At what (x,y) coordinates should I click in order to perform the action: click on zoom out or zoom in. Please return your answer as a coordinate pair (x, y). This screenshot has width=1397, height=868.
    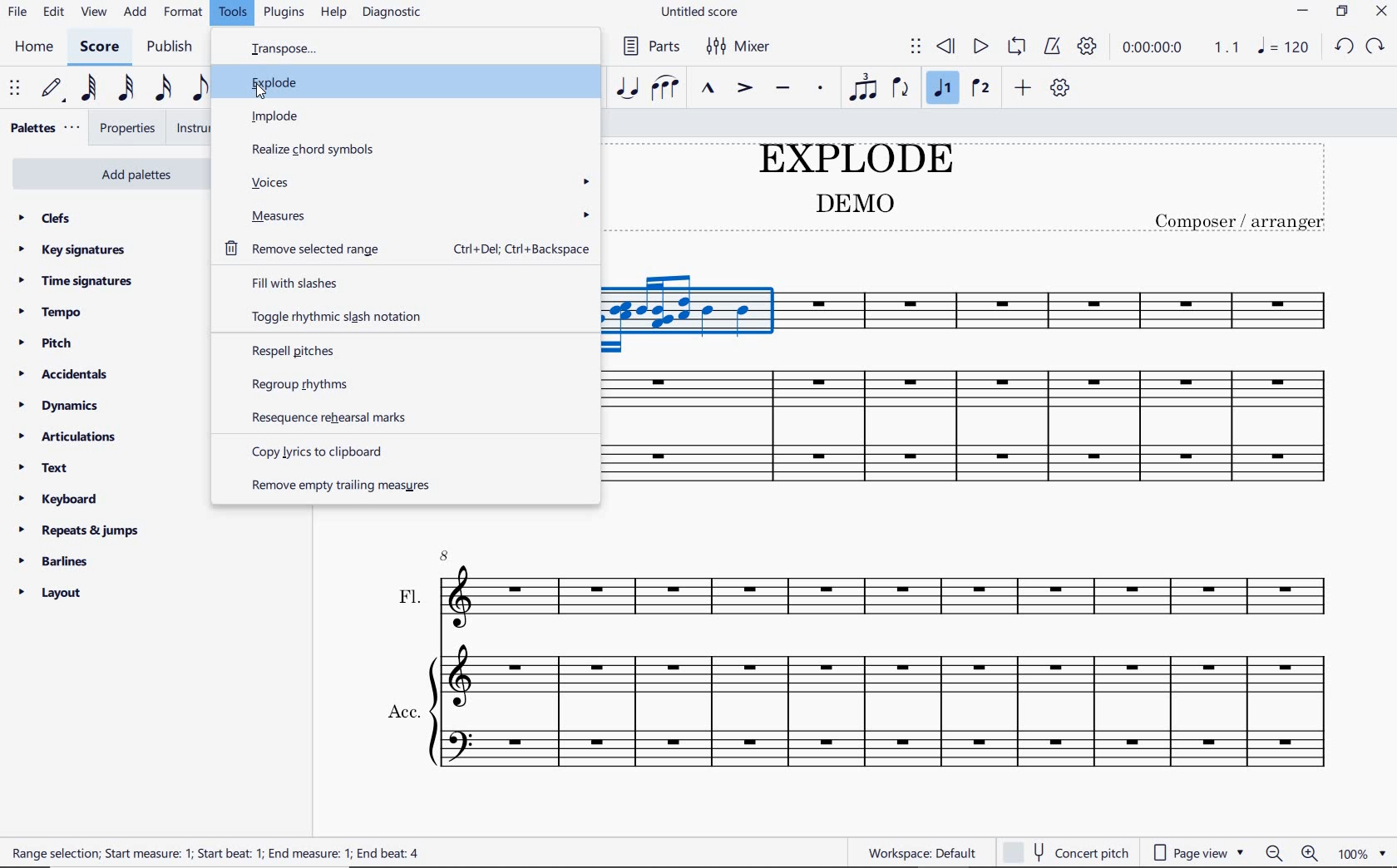
    Looking at the image, I should click on (1292, 851).